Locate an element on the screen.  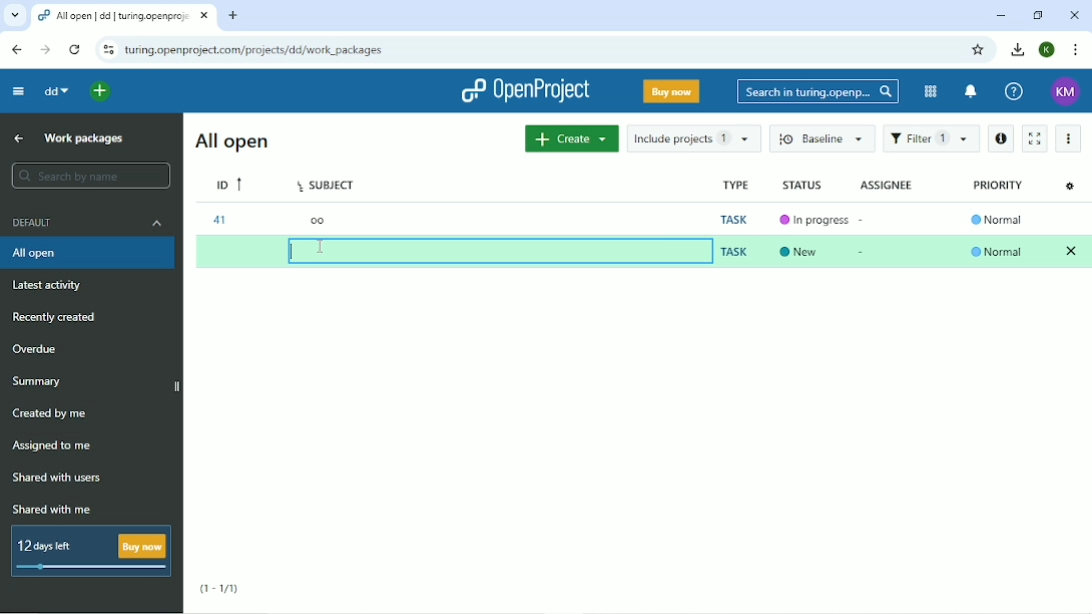
Back is located at coordinates (17, 50).